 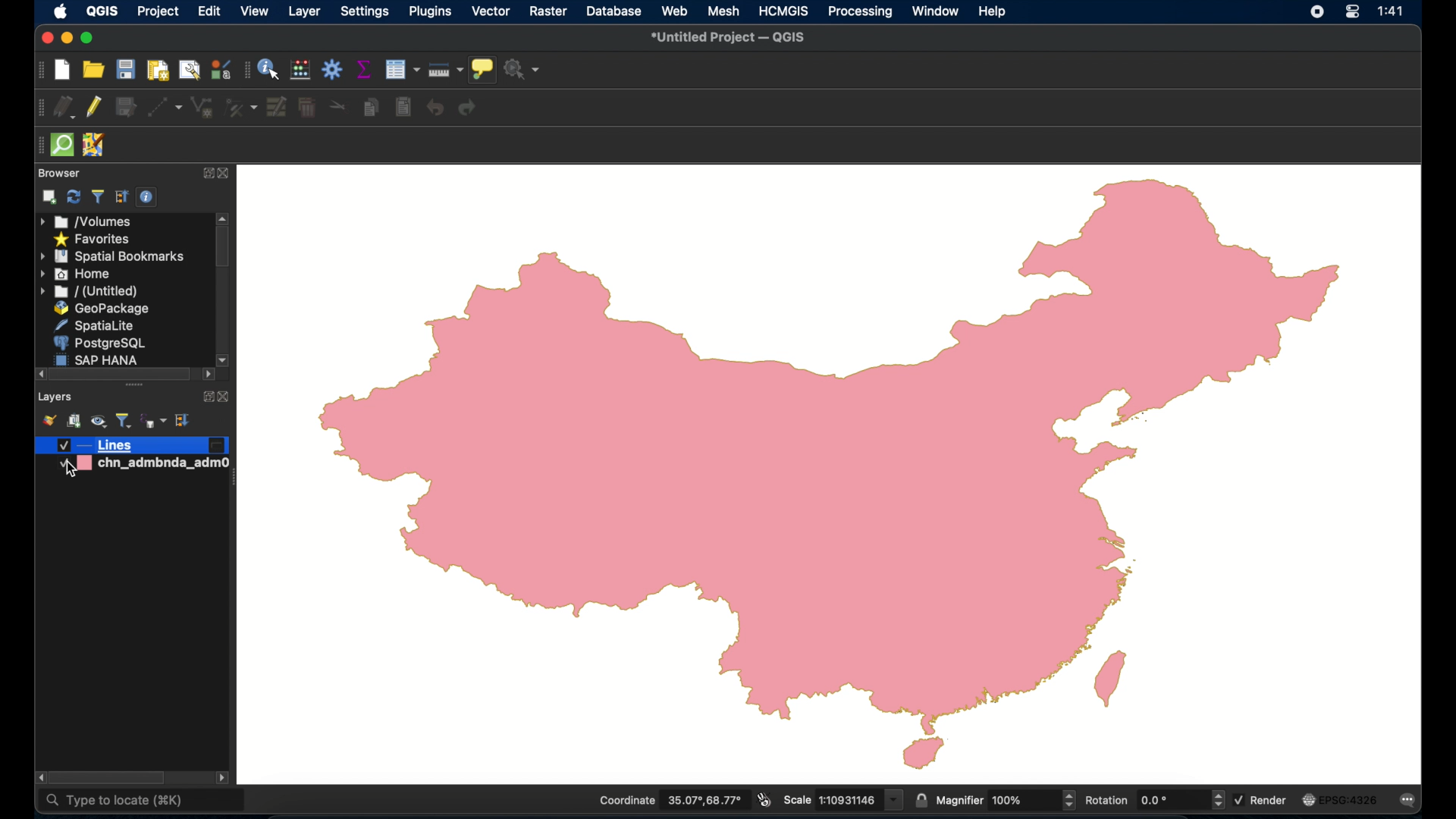 I want to click on control center, so click(x=1351, y=14).